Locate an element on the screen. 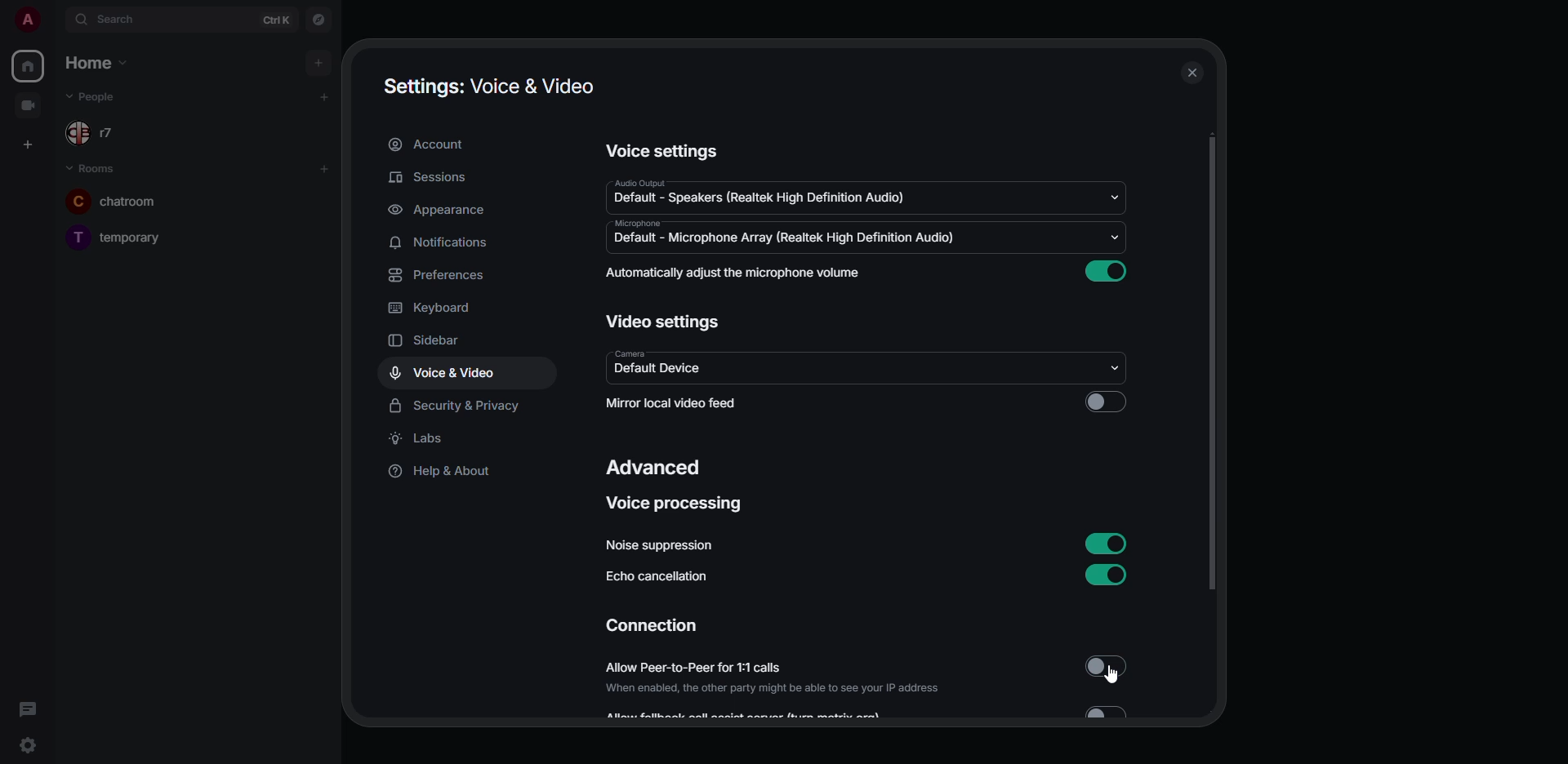 The image size is (1568, 764). home is located at coordinates (29, 64).